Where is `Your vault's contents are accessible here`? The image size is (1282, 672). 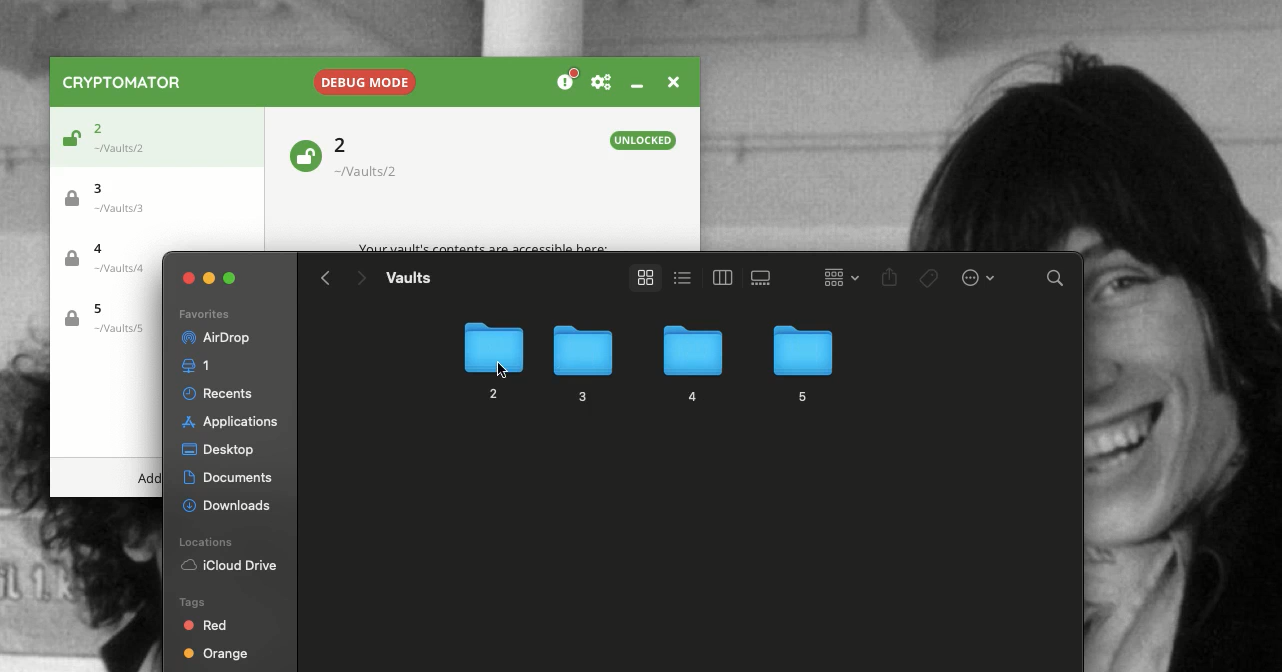 Your vault's contents are accessible here is located at coordinates (483, 248).